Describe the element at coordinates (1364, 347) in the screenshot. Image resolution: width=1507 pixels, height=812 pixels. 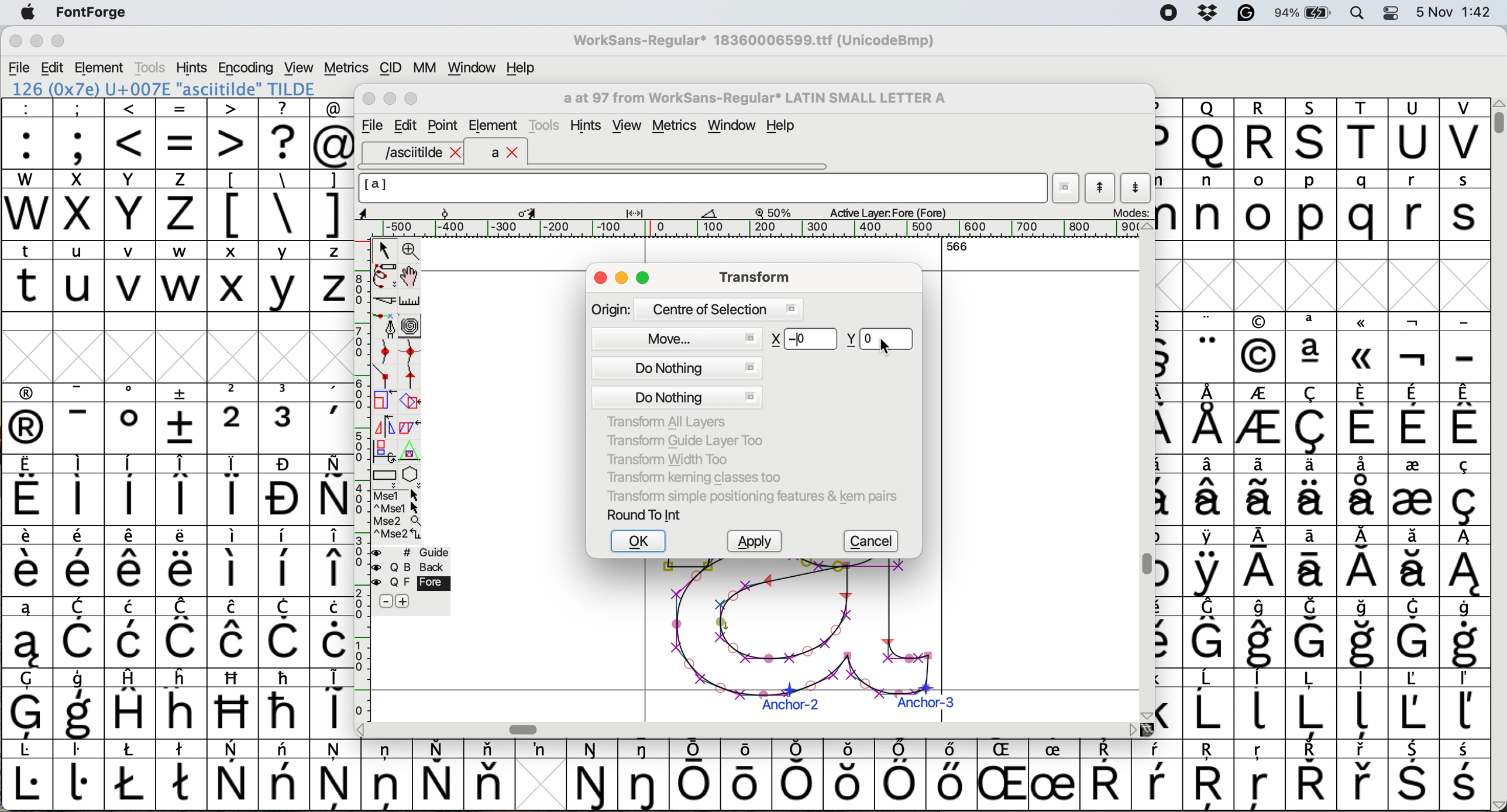
I see `` at that location.